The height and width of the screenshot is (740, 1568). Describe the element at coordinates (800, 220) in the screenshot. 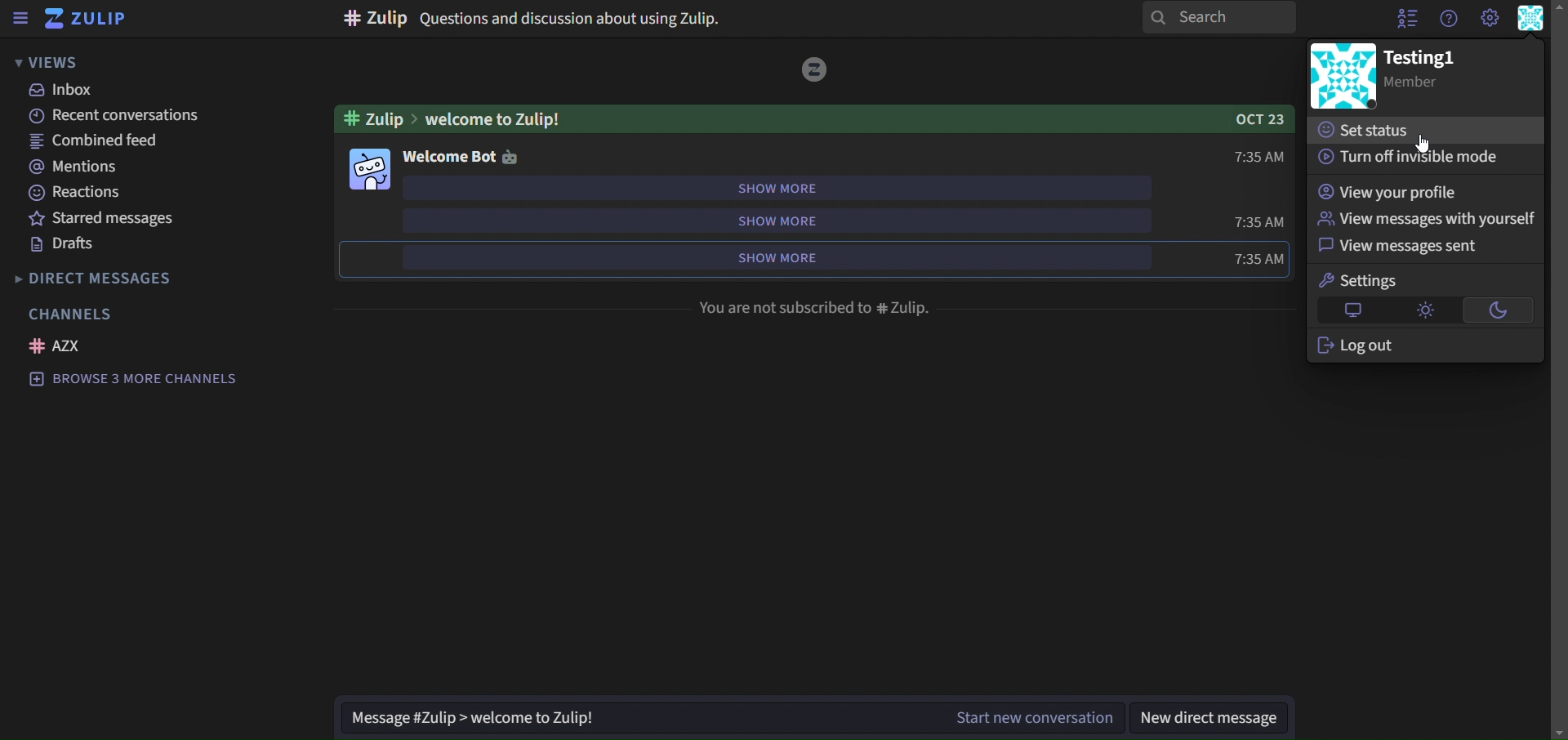

I see `show more` at that location.